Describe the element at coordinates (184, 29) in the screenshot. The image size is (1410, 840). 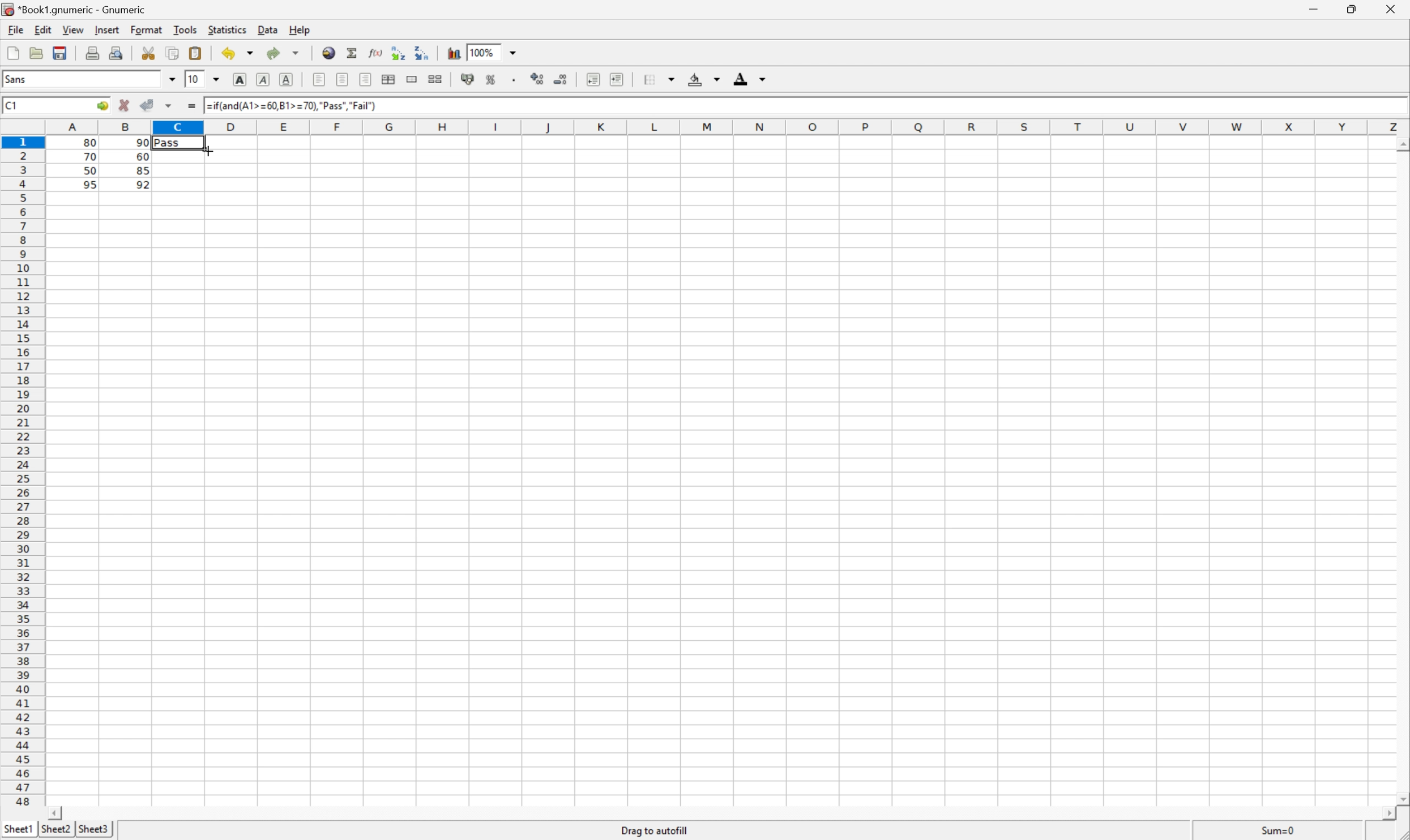
I see `Tools` at that location.